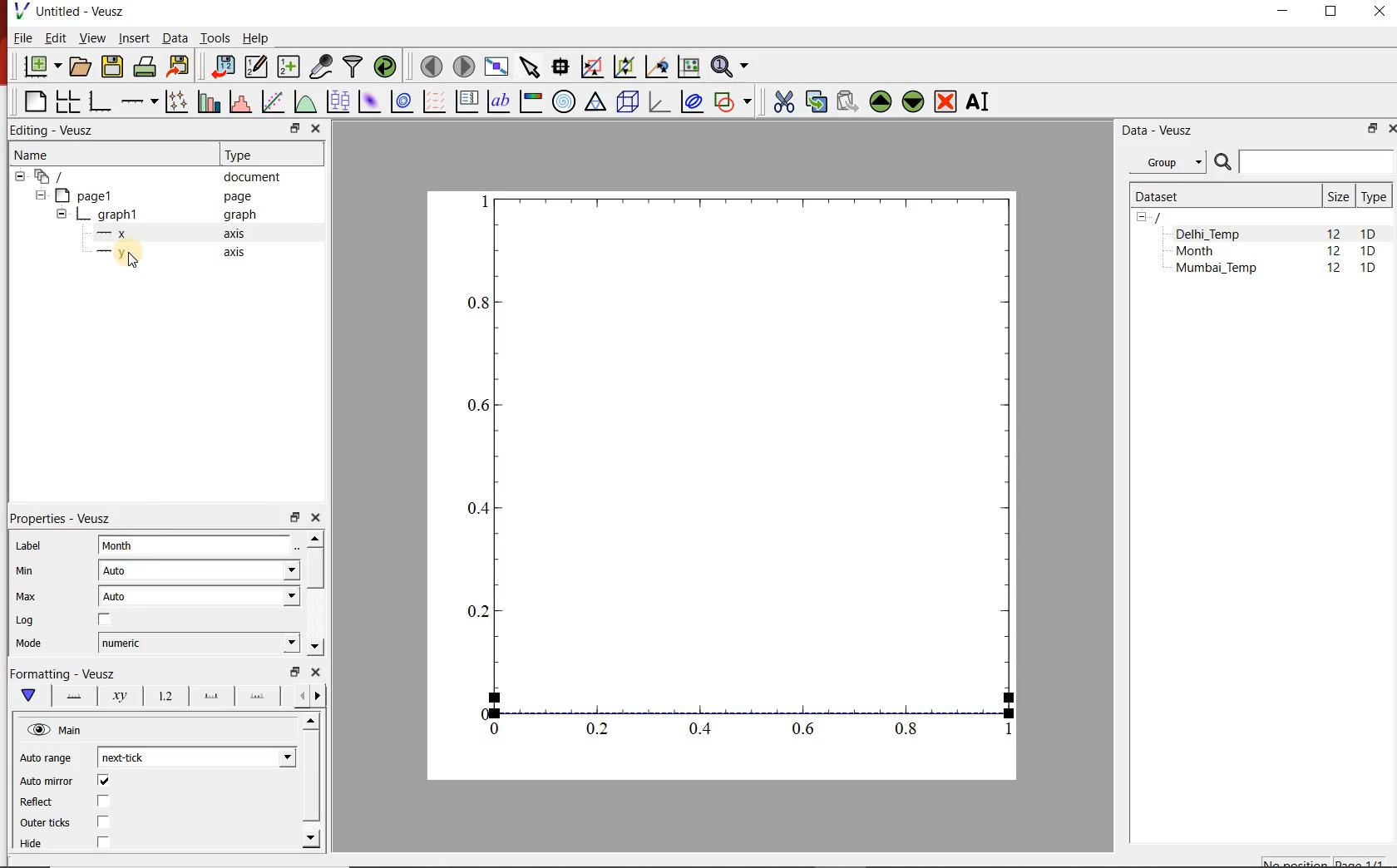 Image resolution: width=1397 pixels, height=868 pixels. Describe the element at coordinates (1373, 129) in the screenshot. I see `RESTORE` at that location.